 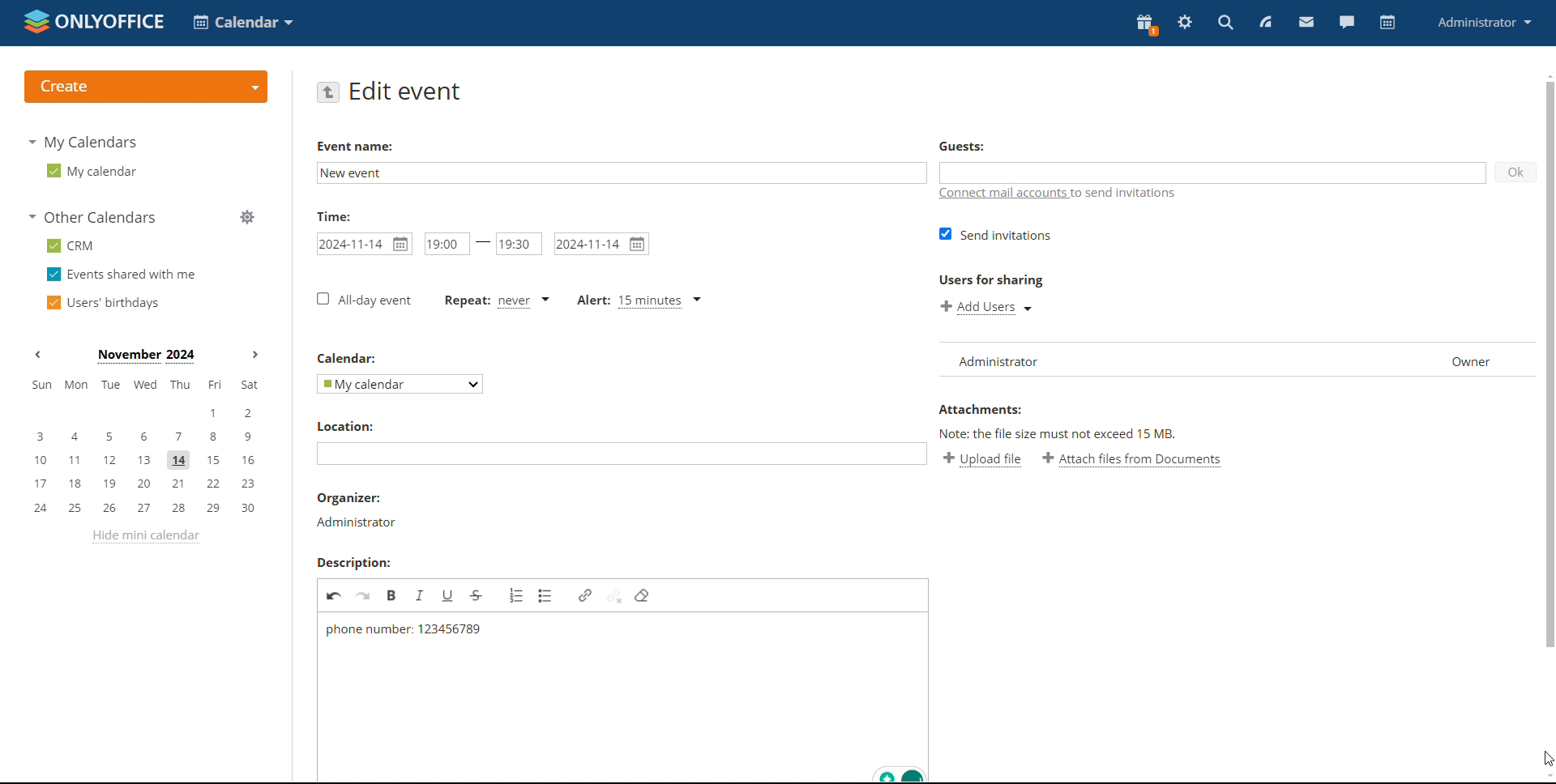 What do you see at coordinates (621, 173) in the screenshot?
I see `add event name` at bounding box center [621, 173].